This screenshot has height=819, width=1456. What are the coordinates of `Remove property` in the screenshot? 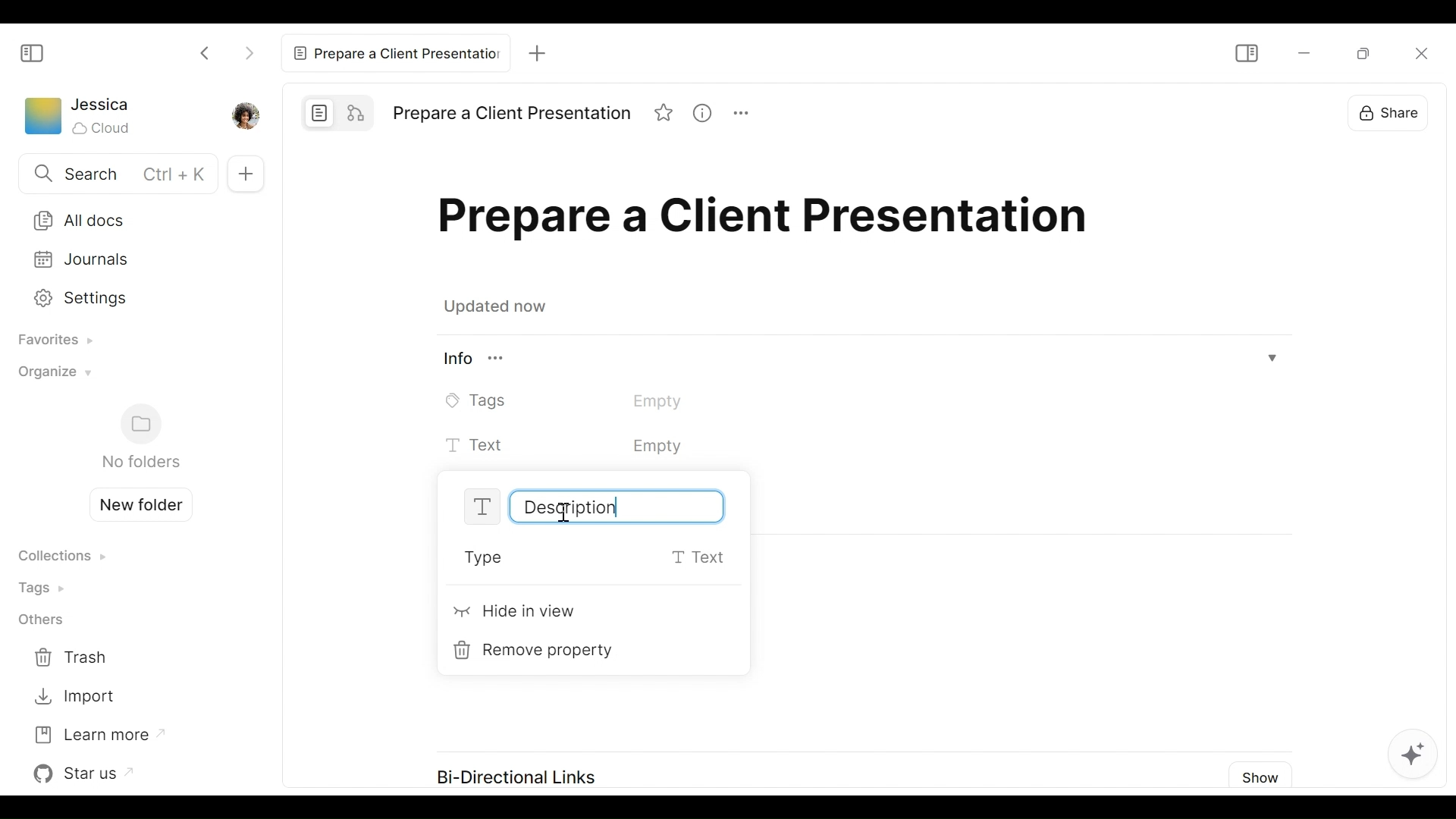 It's located at (538, 651).